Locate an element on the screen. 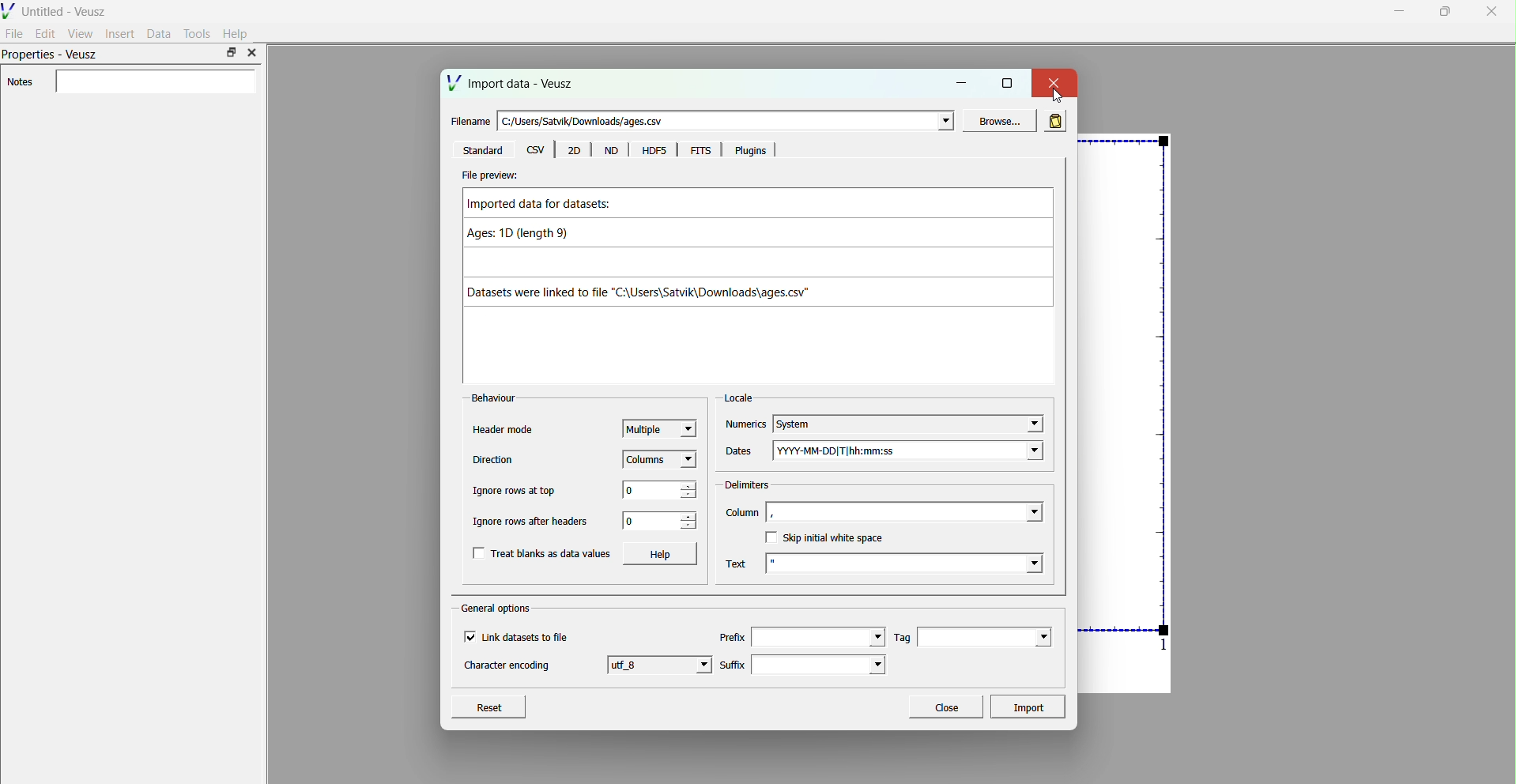 The width and height of the screenshot is (1516, 784). checkbox is located at coordinates (770, 537).